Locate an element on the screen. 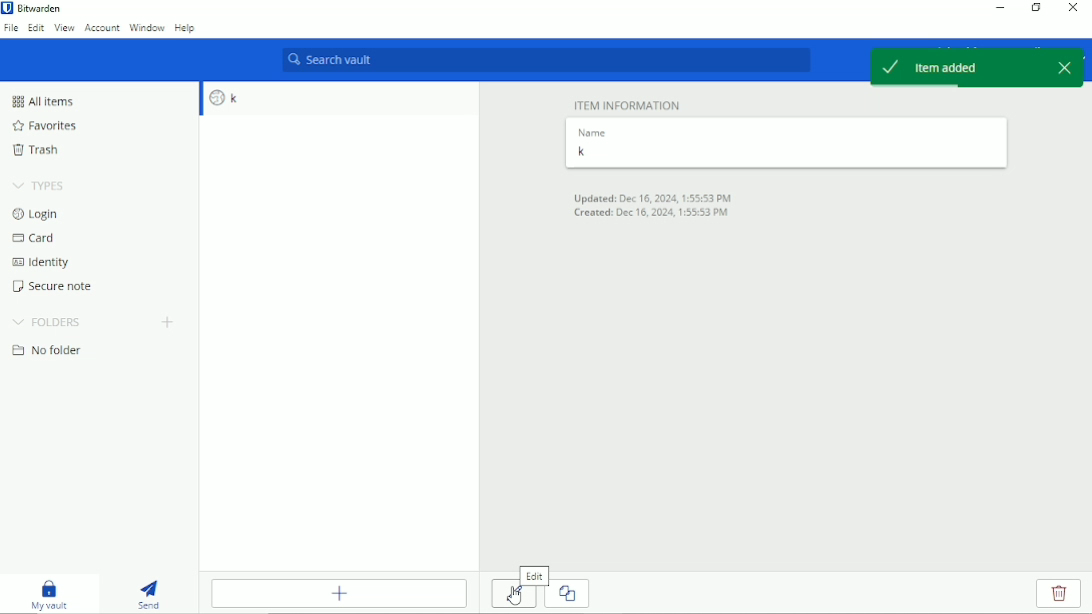  Search vault is located at coordinates (544, 61).